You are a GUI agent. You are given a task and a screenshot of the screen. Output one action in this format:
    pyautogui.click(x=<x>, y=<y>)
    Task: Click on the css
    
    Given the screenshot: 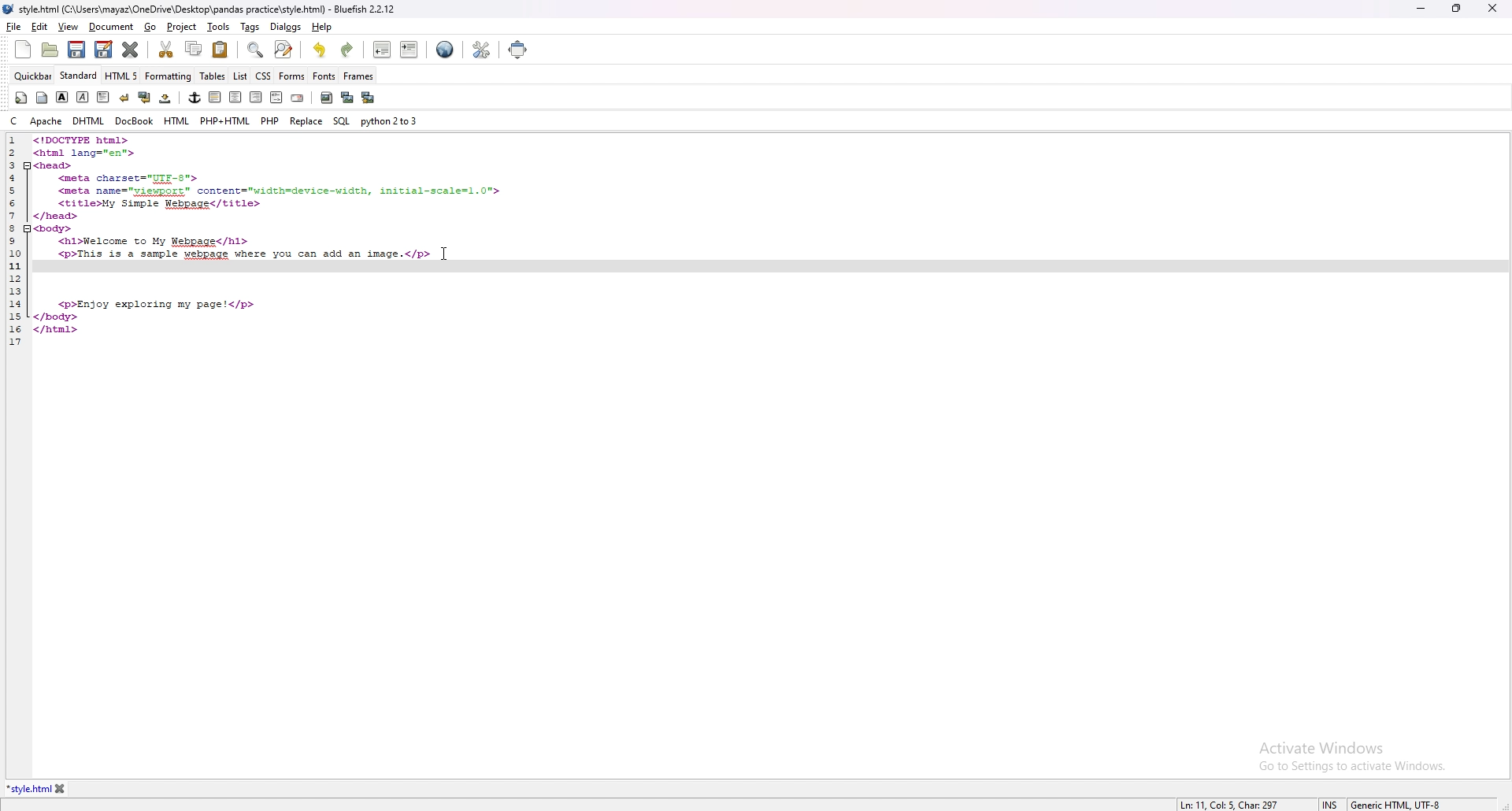 What is the action you would take?
    pyautogui.click(x=263, y=75)
    